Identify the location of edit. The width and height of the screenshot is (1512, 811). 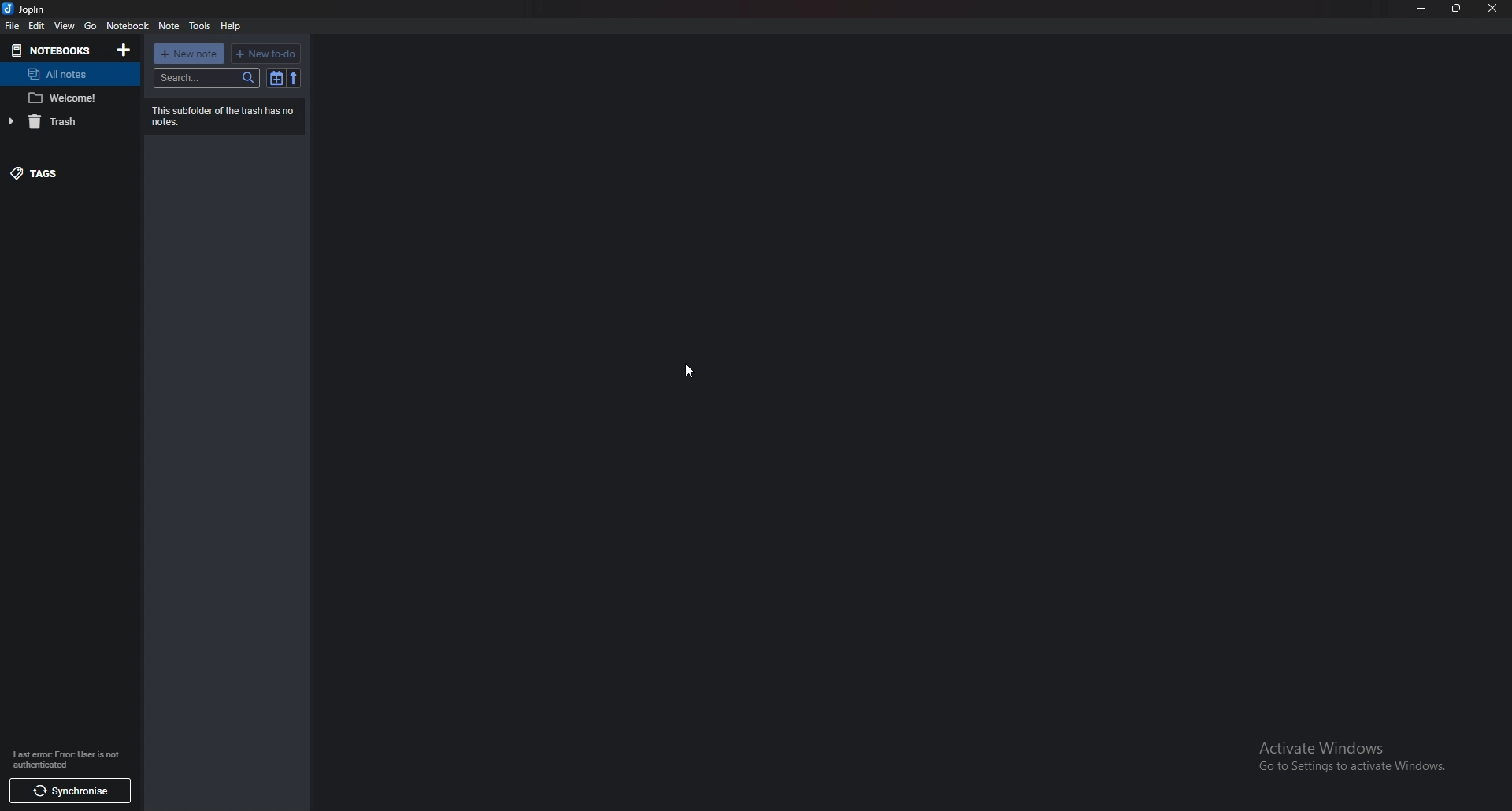
(37, 27).